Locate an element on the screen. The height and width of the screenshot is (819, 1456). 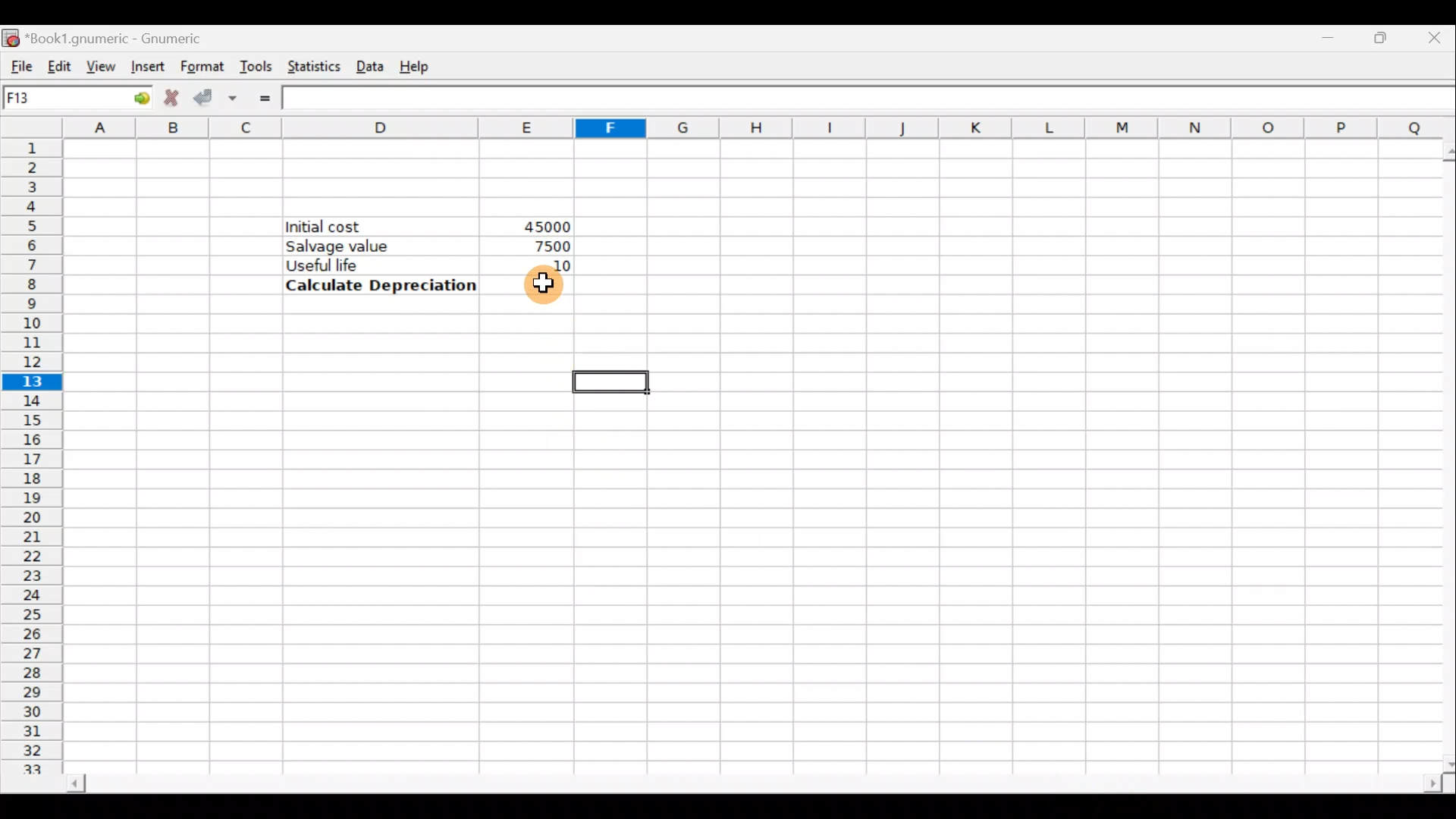
View is located at coordinates (100, 64).